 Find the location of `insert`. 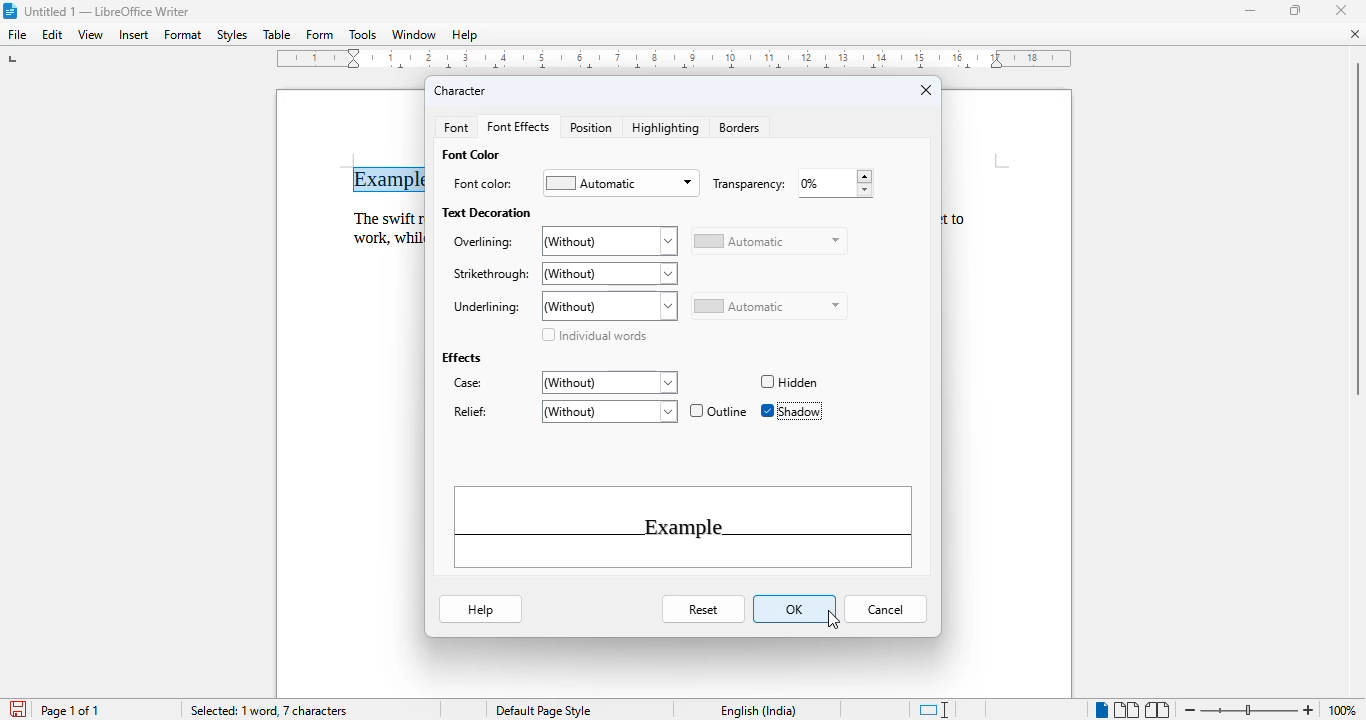

insert is located at coordinates (133, 35).